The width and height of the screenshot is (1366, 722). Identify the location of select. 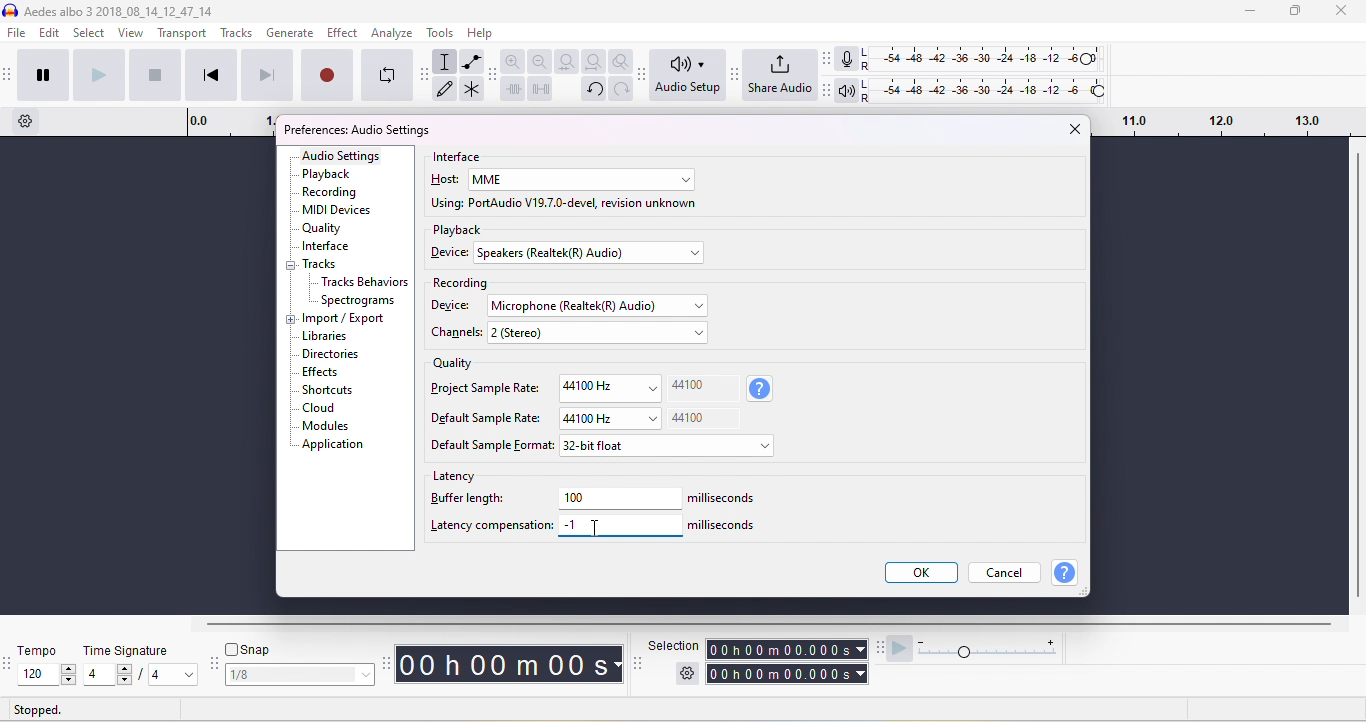
(90, 33).